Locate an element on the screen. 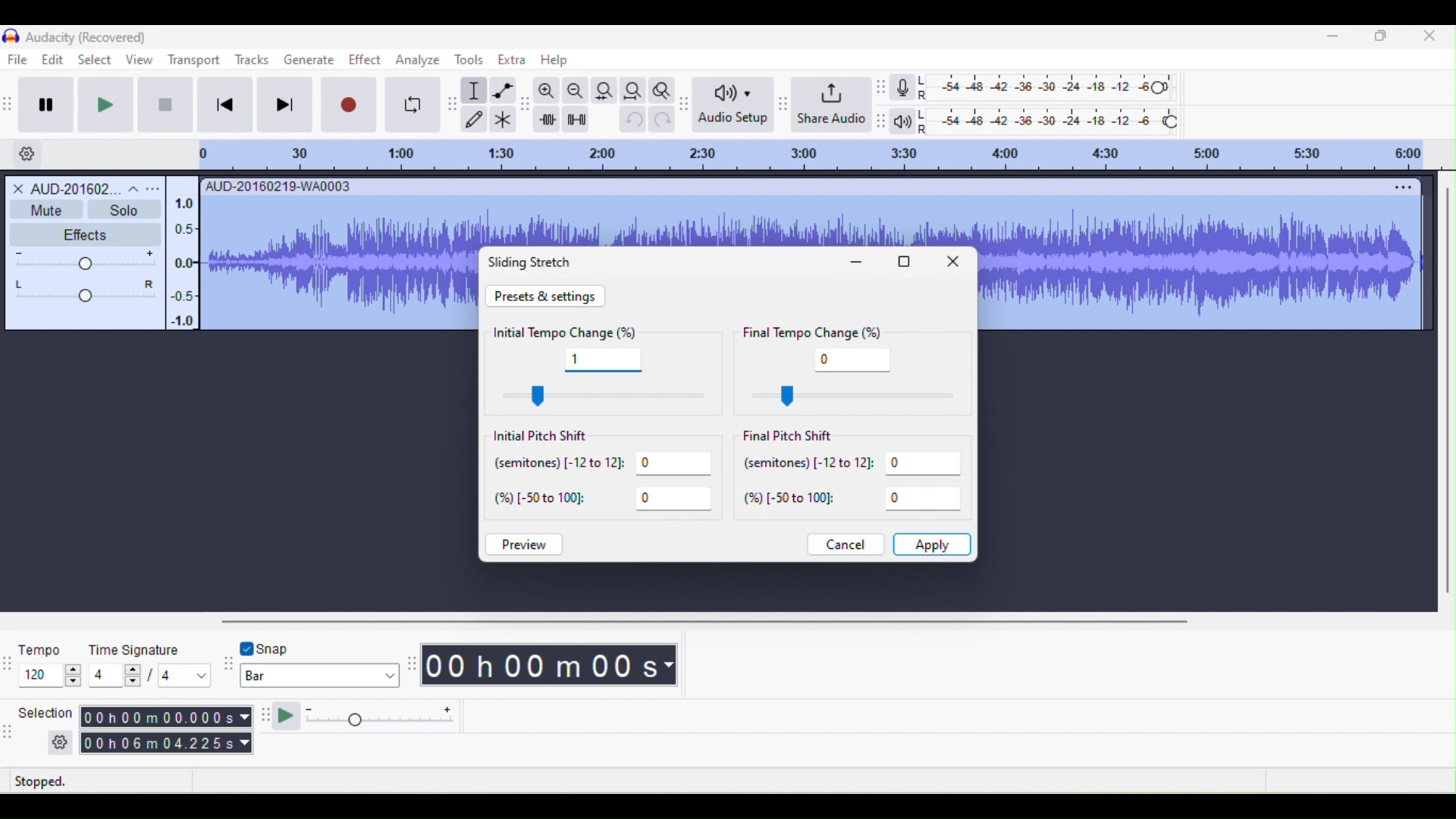 The image size is (1456, 819). Solo is located at coordinates (124, 209).